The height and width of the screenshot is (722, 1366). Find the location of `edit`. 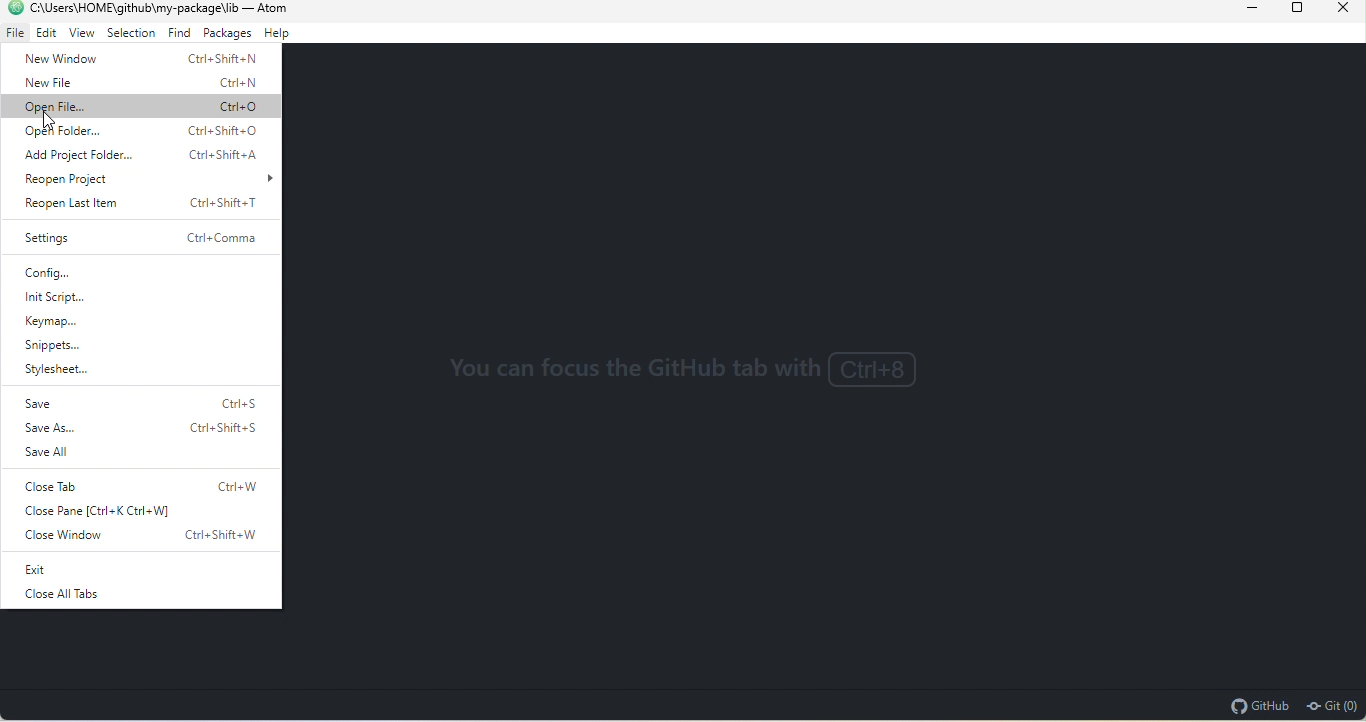

edit is located at coordinates (45, 34).